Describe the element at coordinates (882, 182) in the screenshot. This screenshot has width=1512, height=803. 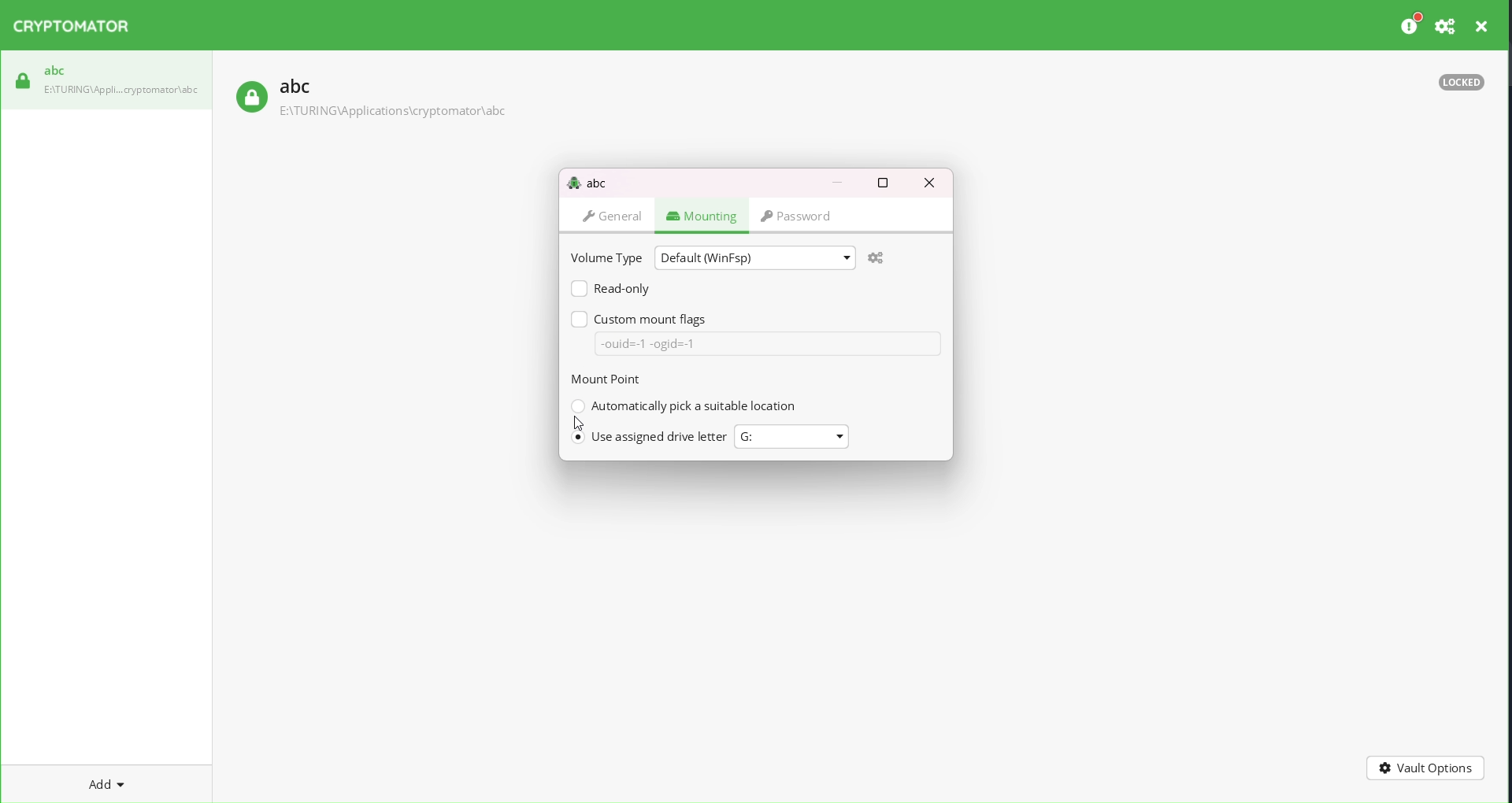
I see `maximize` at that location.